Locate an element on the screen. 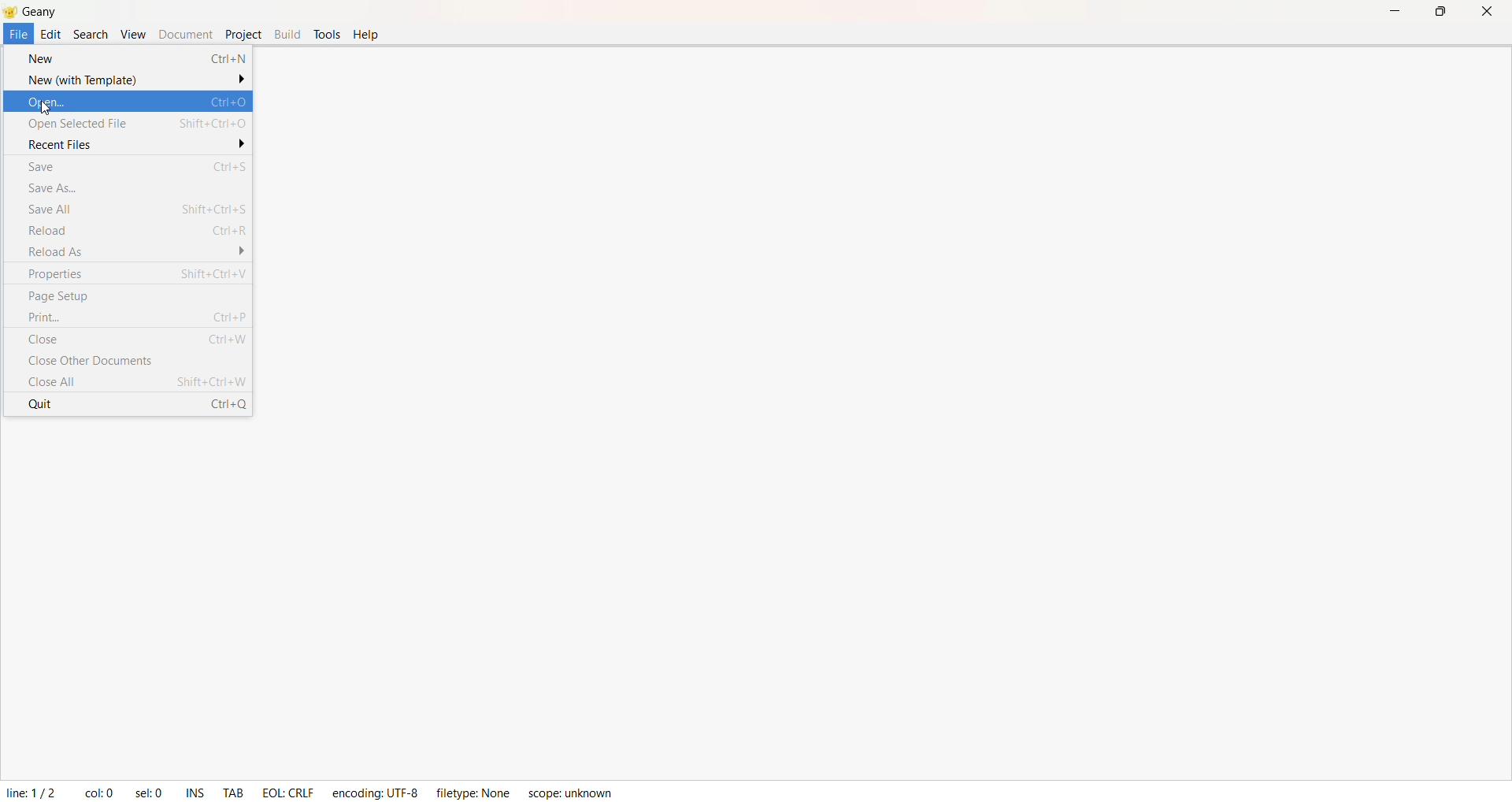  Title is located at coordinates (44, 13).